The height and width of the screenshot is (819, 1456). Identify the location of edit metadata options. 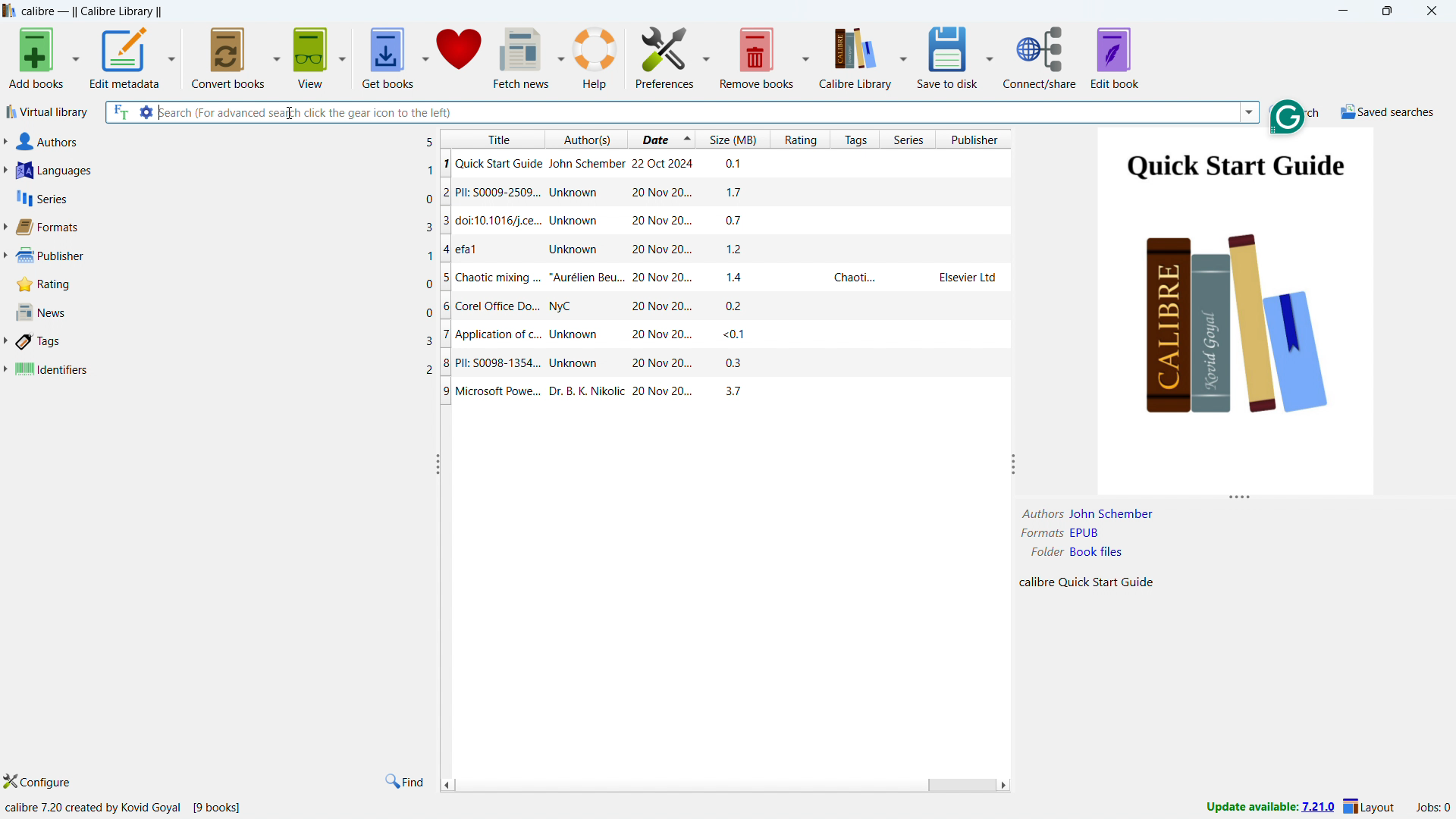
(171, 56).